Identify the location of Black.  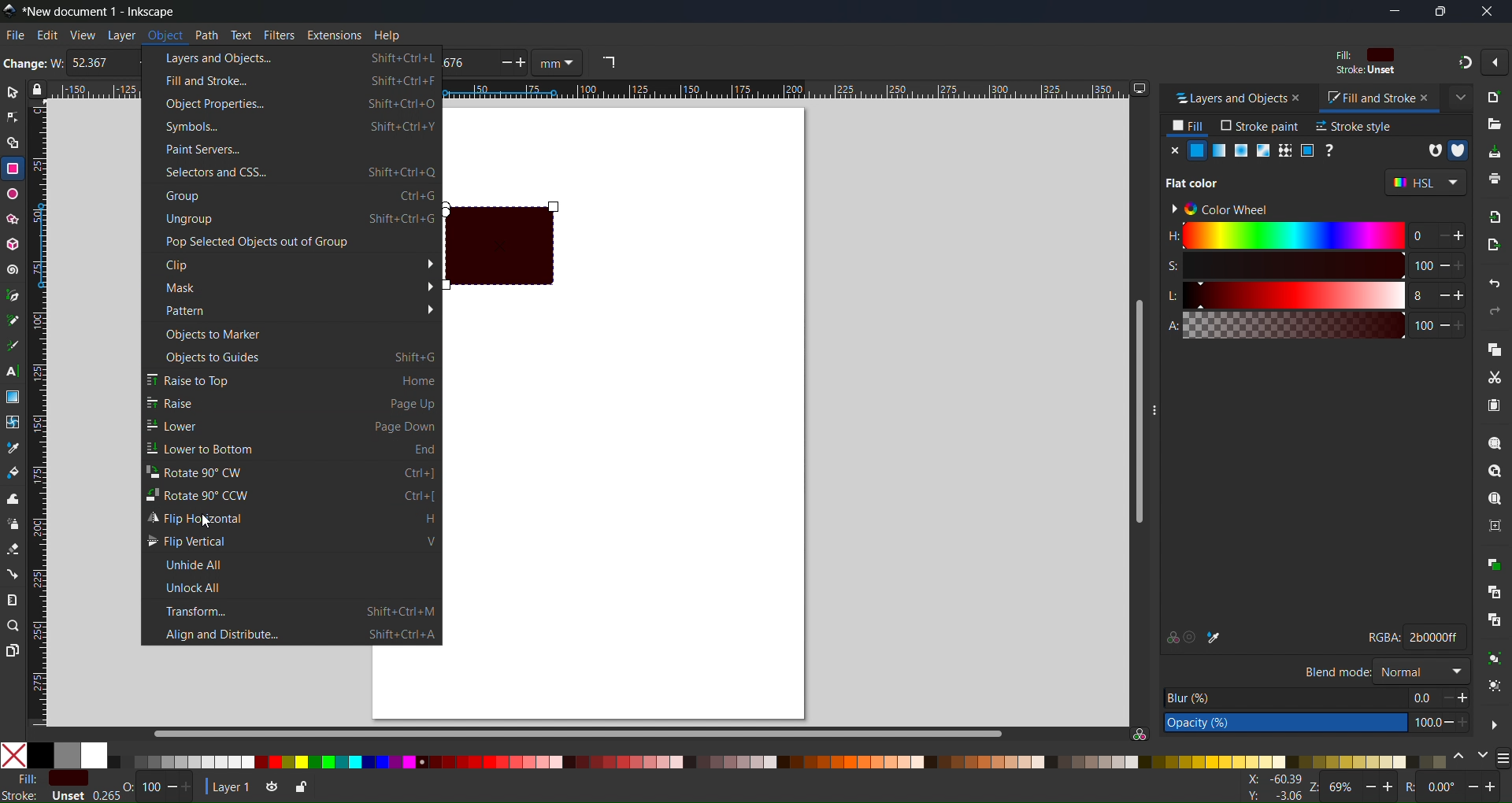
(40, 754).